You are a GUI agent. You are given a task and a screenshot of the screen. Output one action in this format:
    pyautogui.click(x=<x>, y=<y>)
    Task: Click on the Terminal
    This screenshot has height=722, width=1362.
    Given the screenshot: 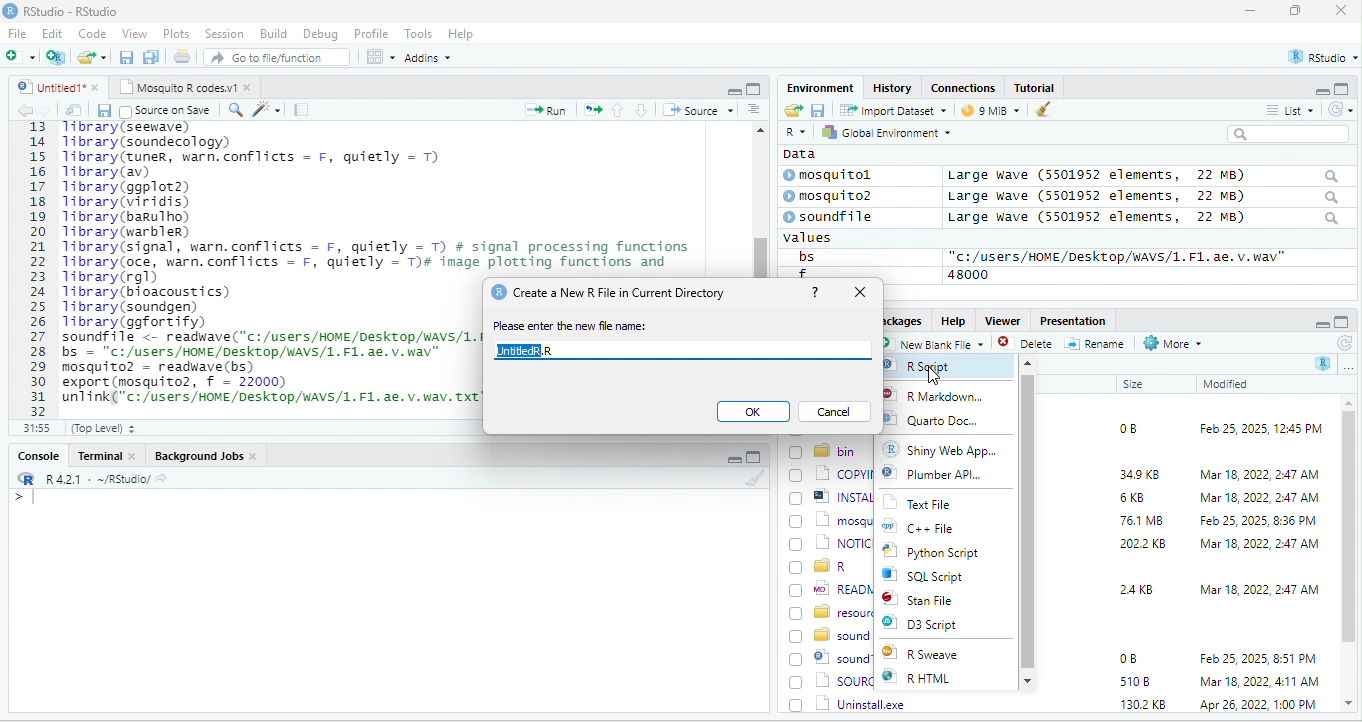 What is the action you would take?
    pyautogui.click(x=107, y=455)
    